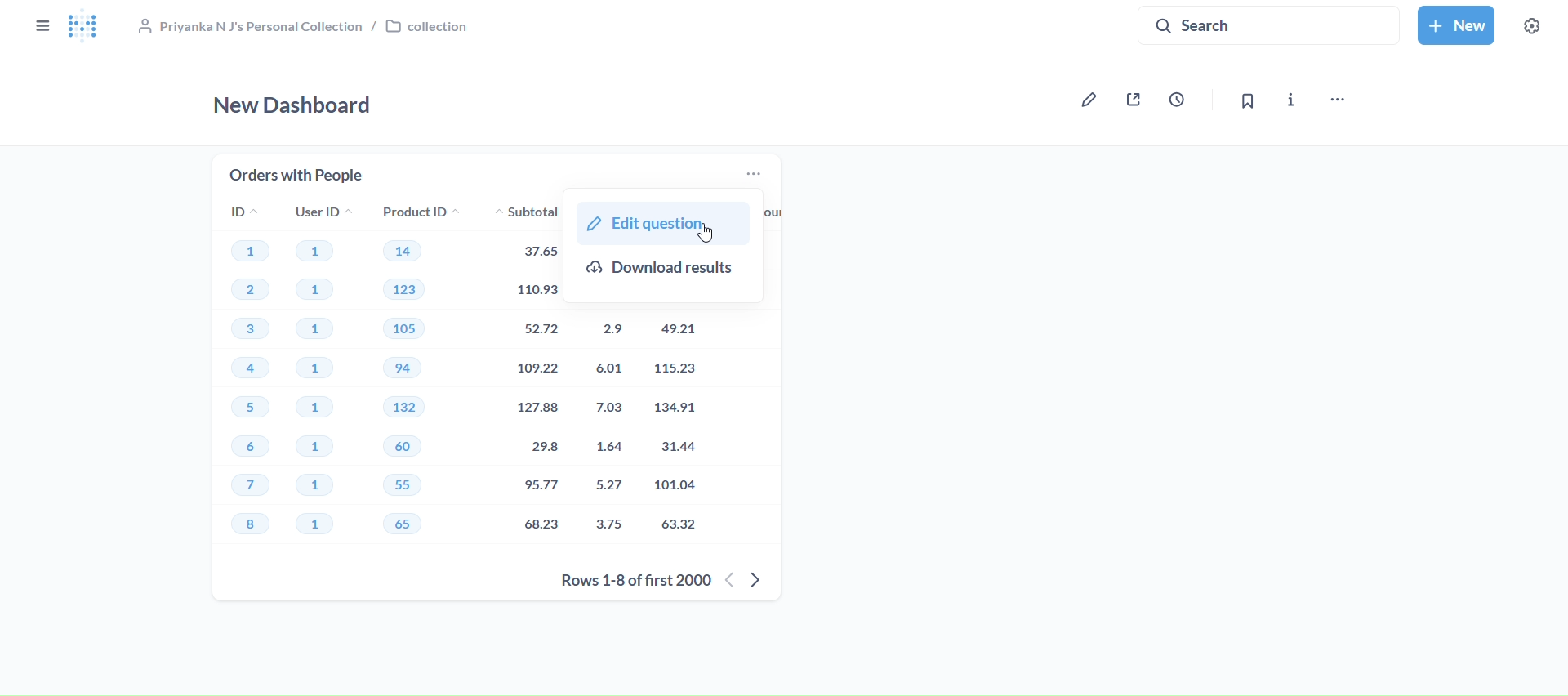 The height and width of the screenshot is (696, 1568). Describe the element at coordinates (42, 26) in the screenshot. I see `close sidebar` at that location.